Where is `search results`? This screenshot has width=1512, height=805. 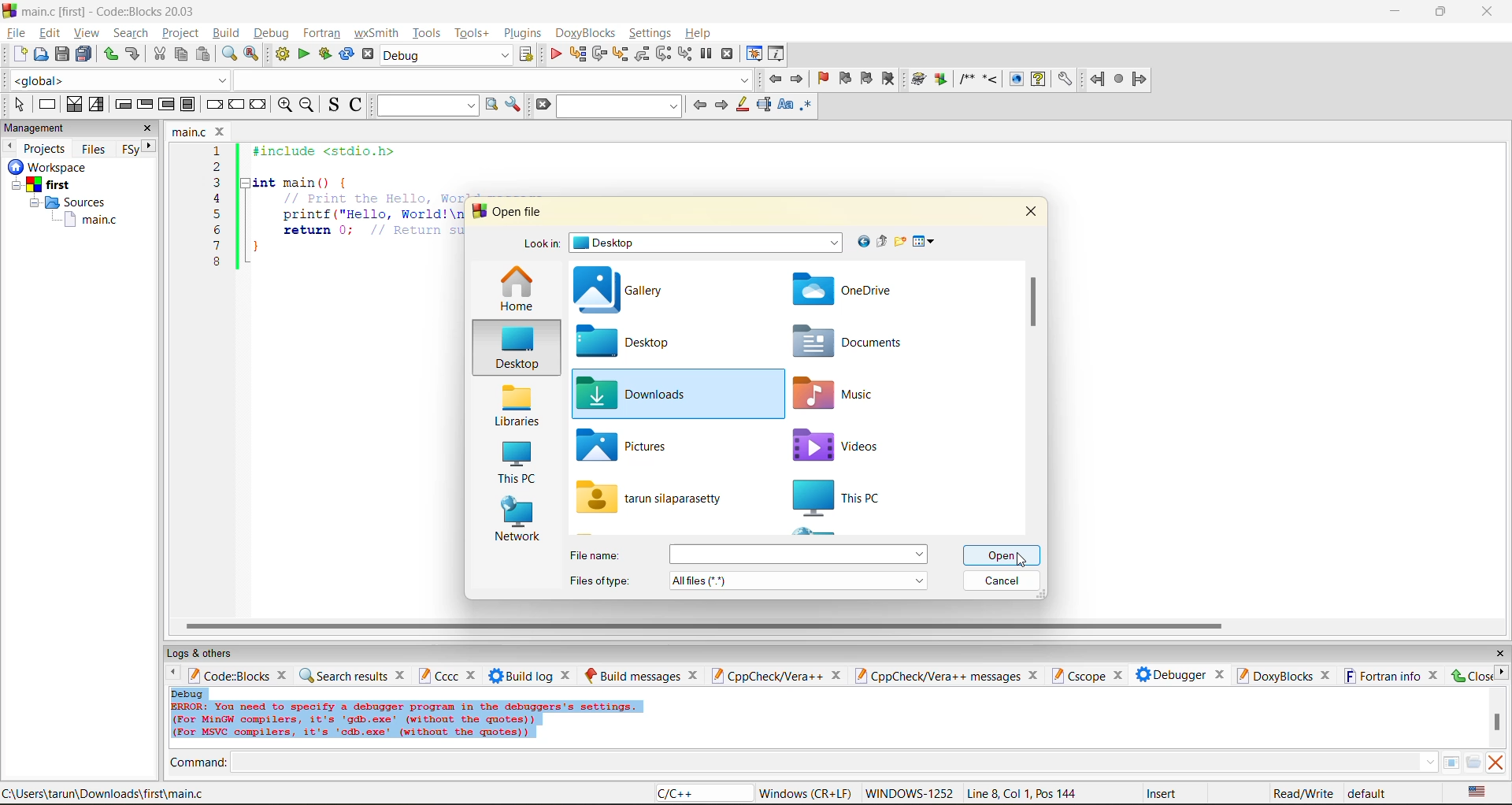 search results is located at coordinates (343, 675).